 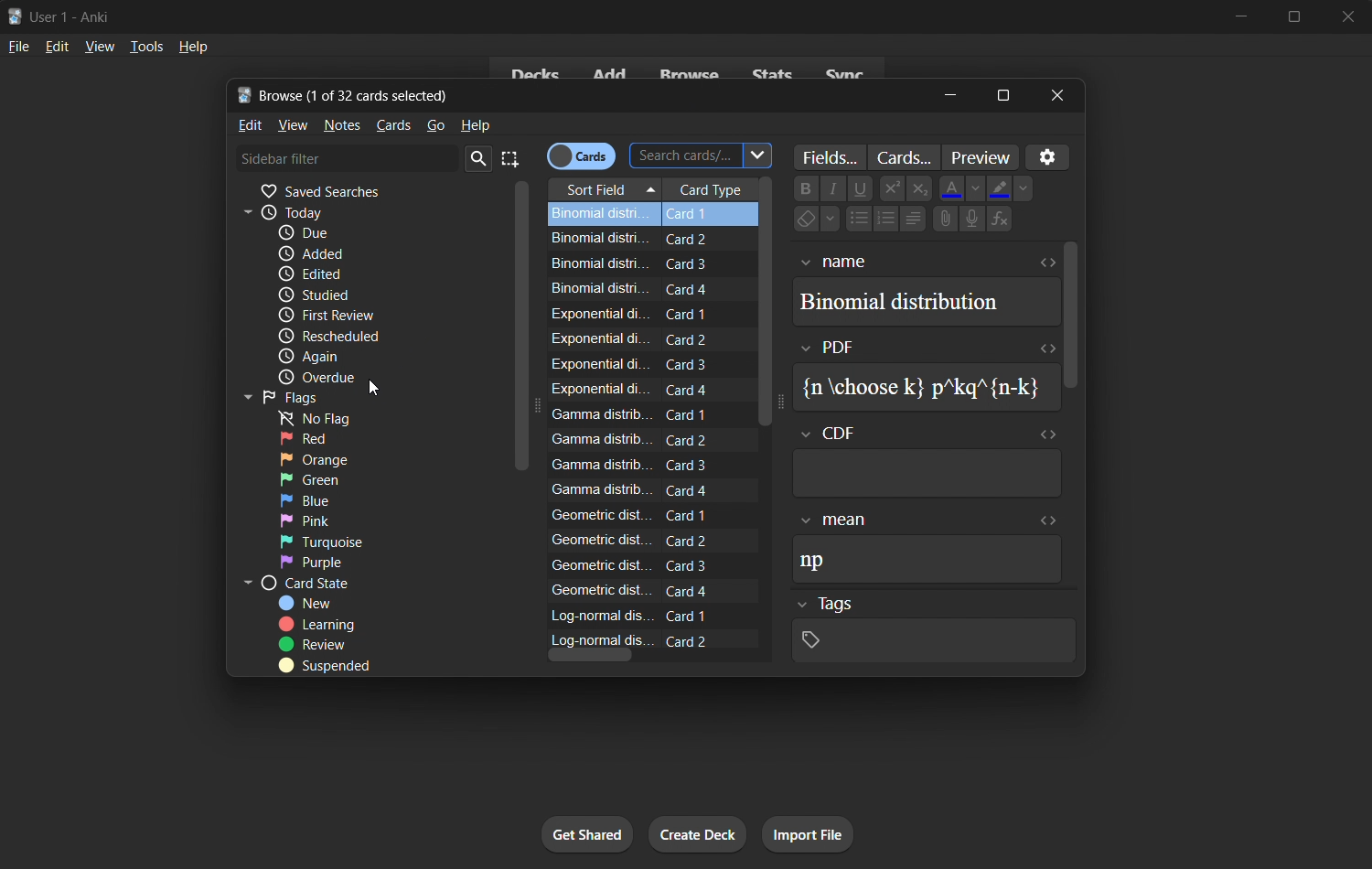 What do you see at coordinates (601, 617) in the screenshot?
I see `Log-normal dis...` at bounding box center [601, 617].